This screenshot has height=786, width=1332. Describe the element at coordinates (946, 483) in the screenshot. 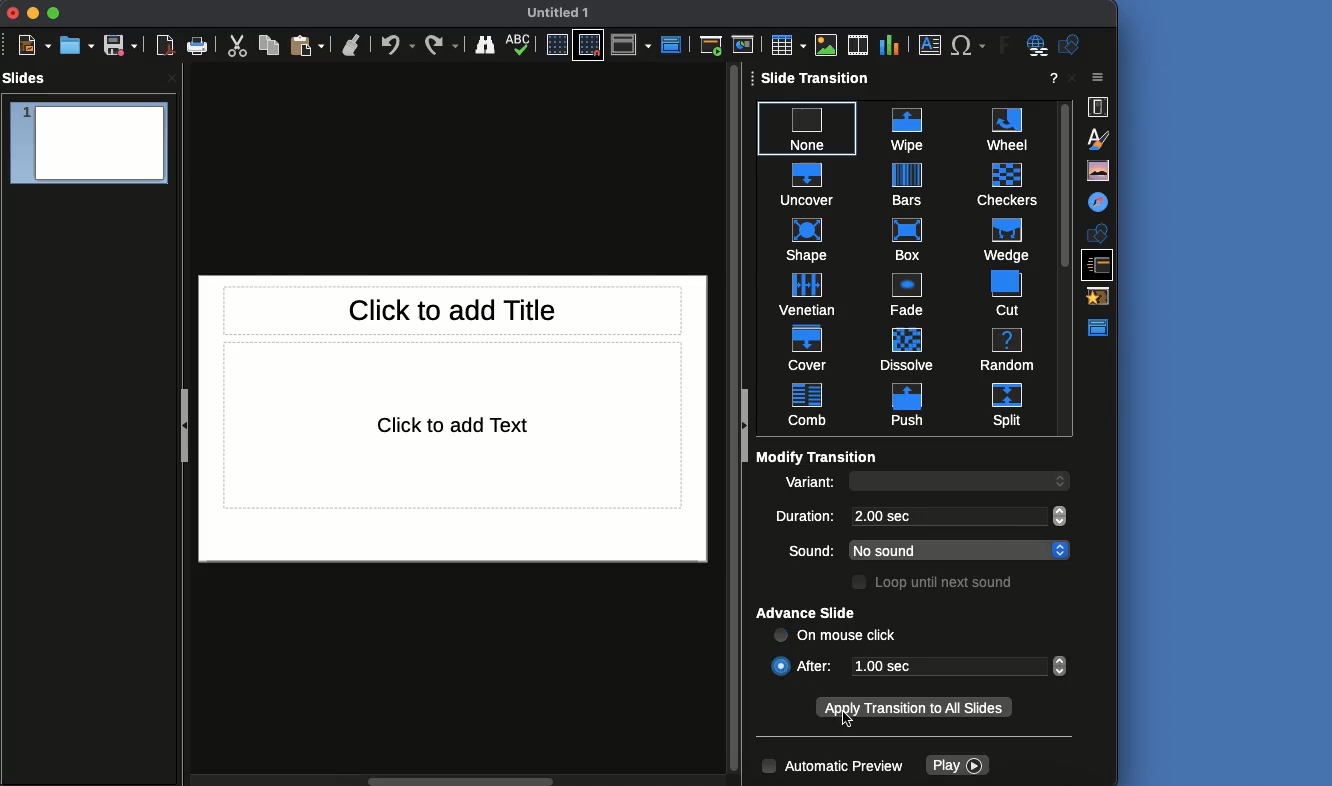

I see `input variant` at that location.